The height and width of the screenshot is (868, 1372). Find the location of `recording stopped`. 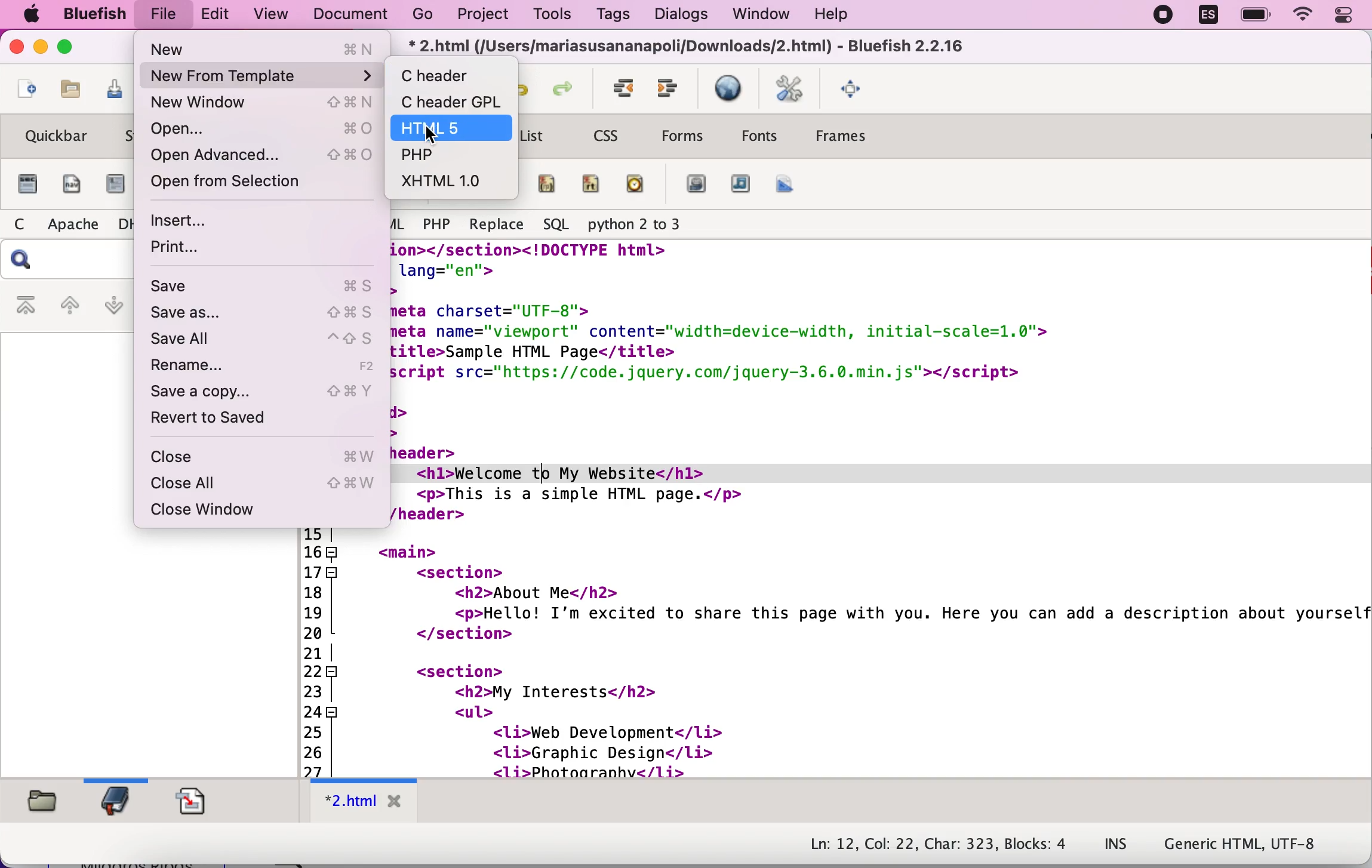

recording stopped is located at coordinates (1159, 15).